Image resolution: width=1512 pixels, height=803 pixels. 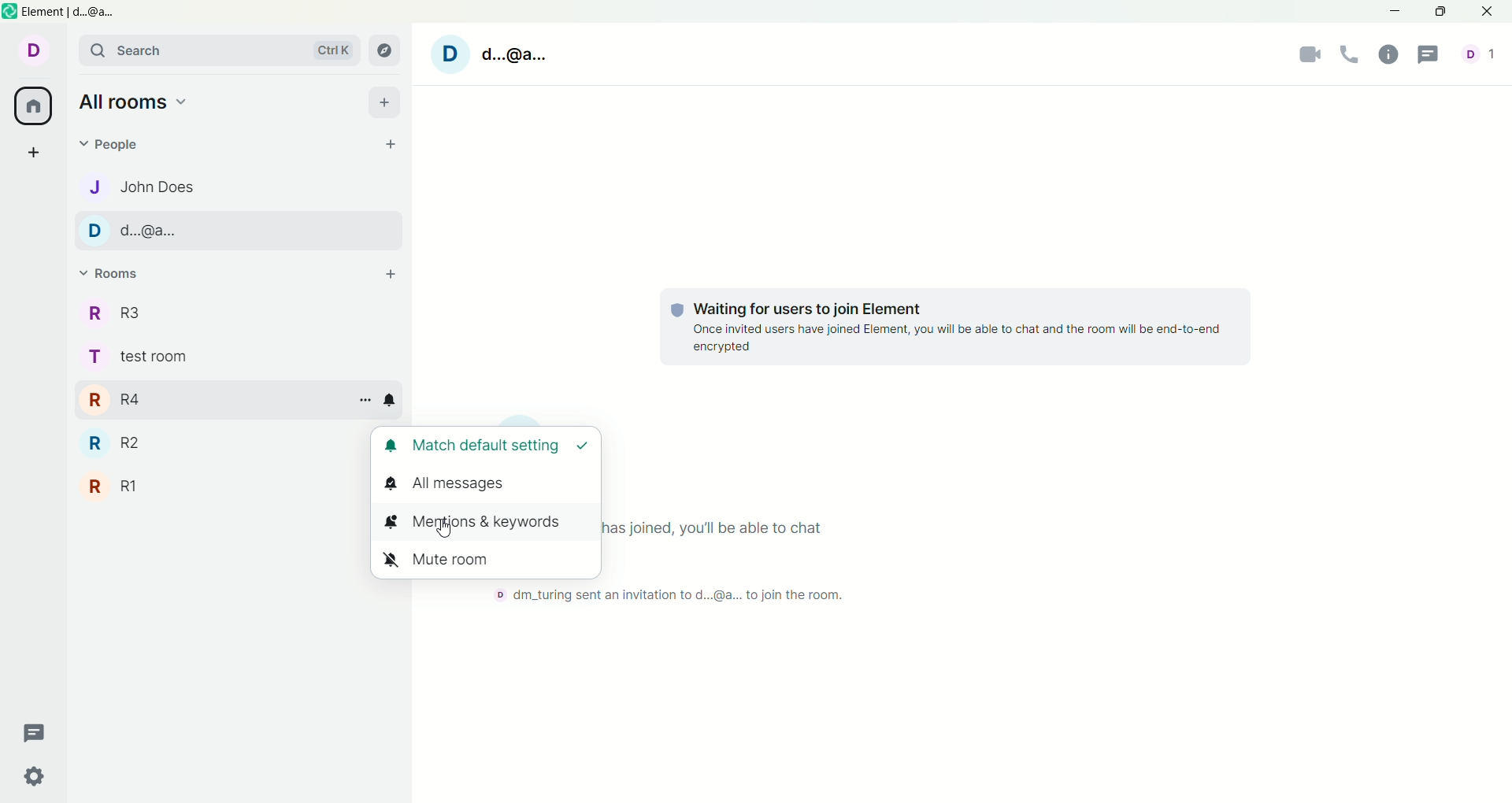 I want to click on Software logo, so click(x=9, y=11).